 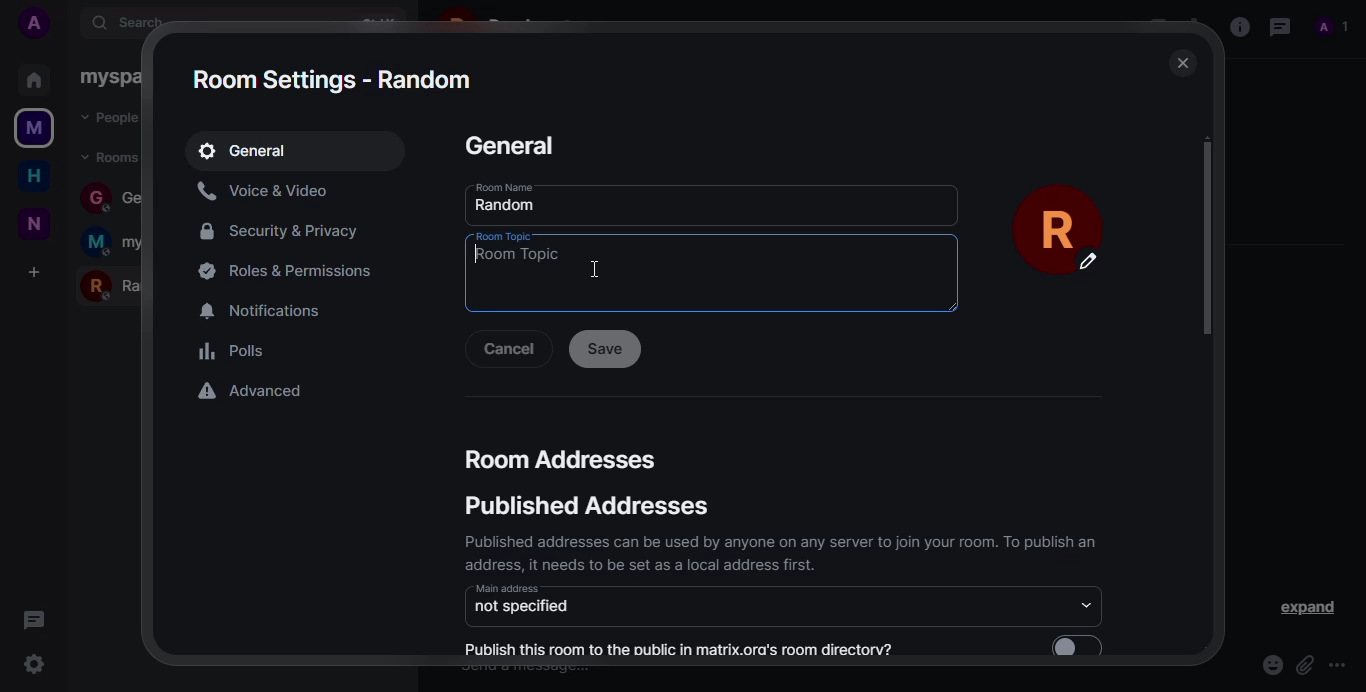 What do you see at coordinates (1240, 27) in the screenshot?
I see `info` at bounding box center [1240, 27].